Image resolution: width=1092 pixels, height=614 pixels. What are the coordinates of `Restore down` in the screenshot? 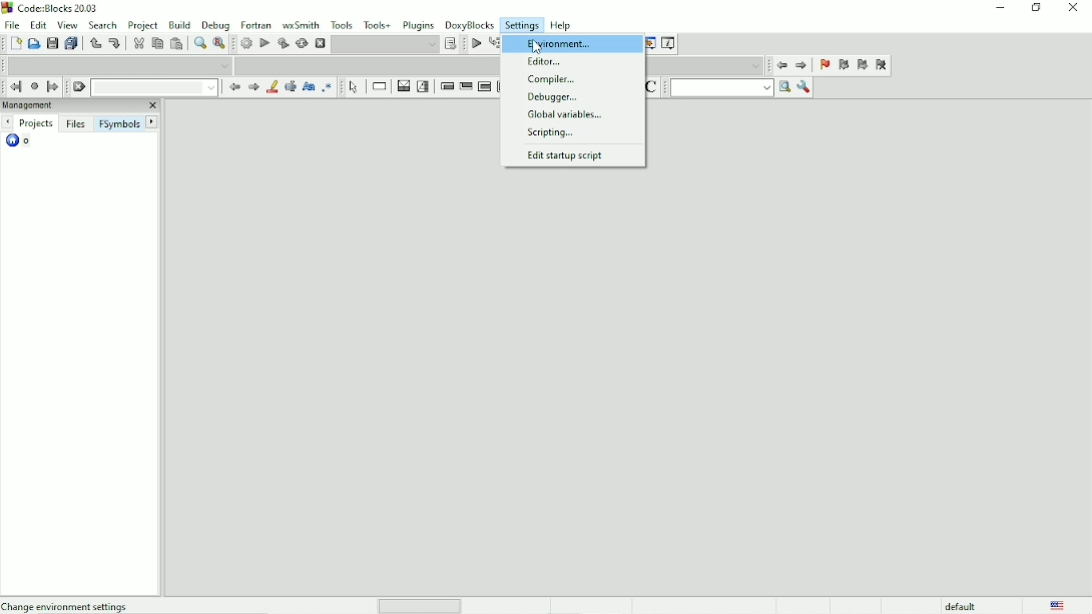 It's located at (1035, 8).